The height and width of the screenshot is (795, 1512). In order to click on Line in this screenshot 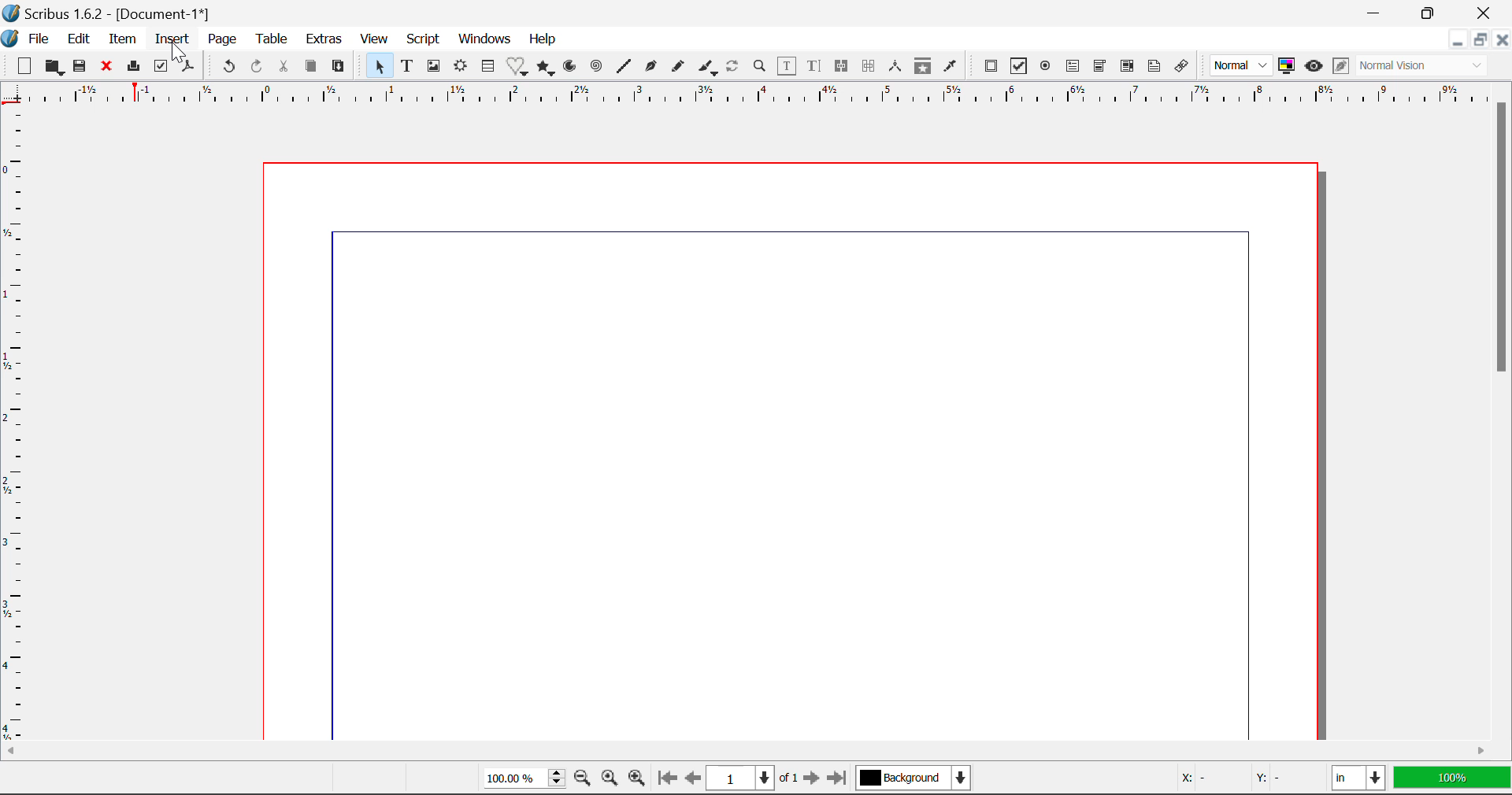, I will do `click(625, 67)`.